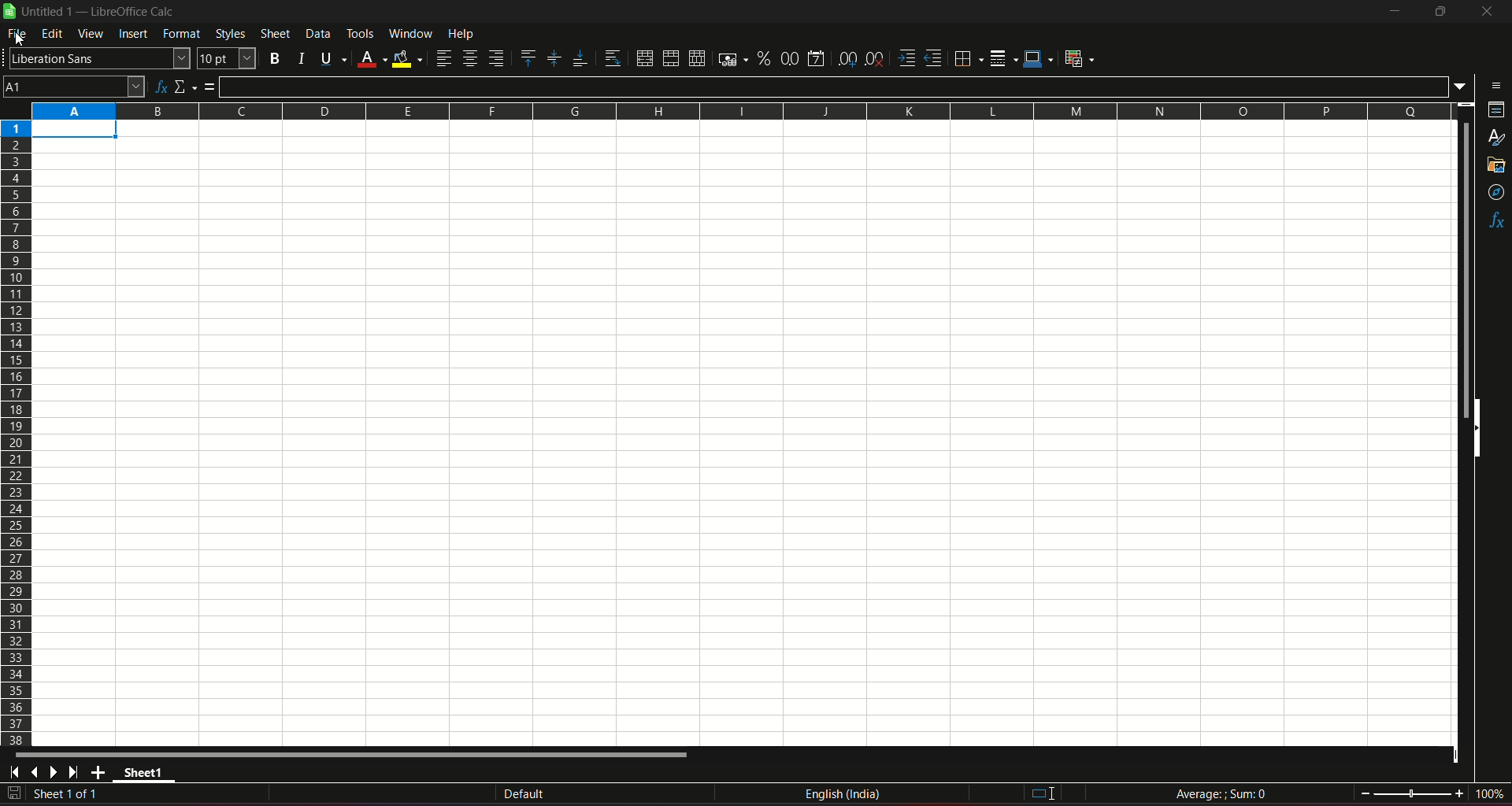  Describe the element at coordinates (275, 57) in the screenshot. I see `bold` at that location.